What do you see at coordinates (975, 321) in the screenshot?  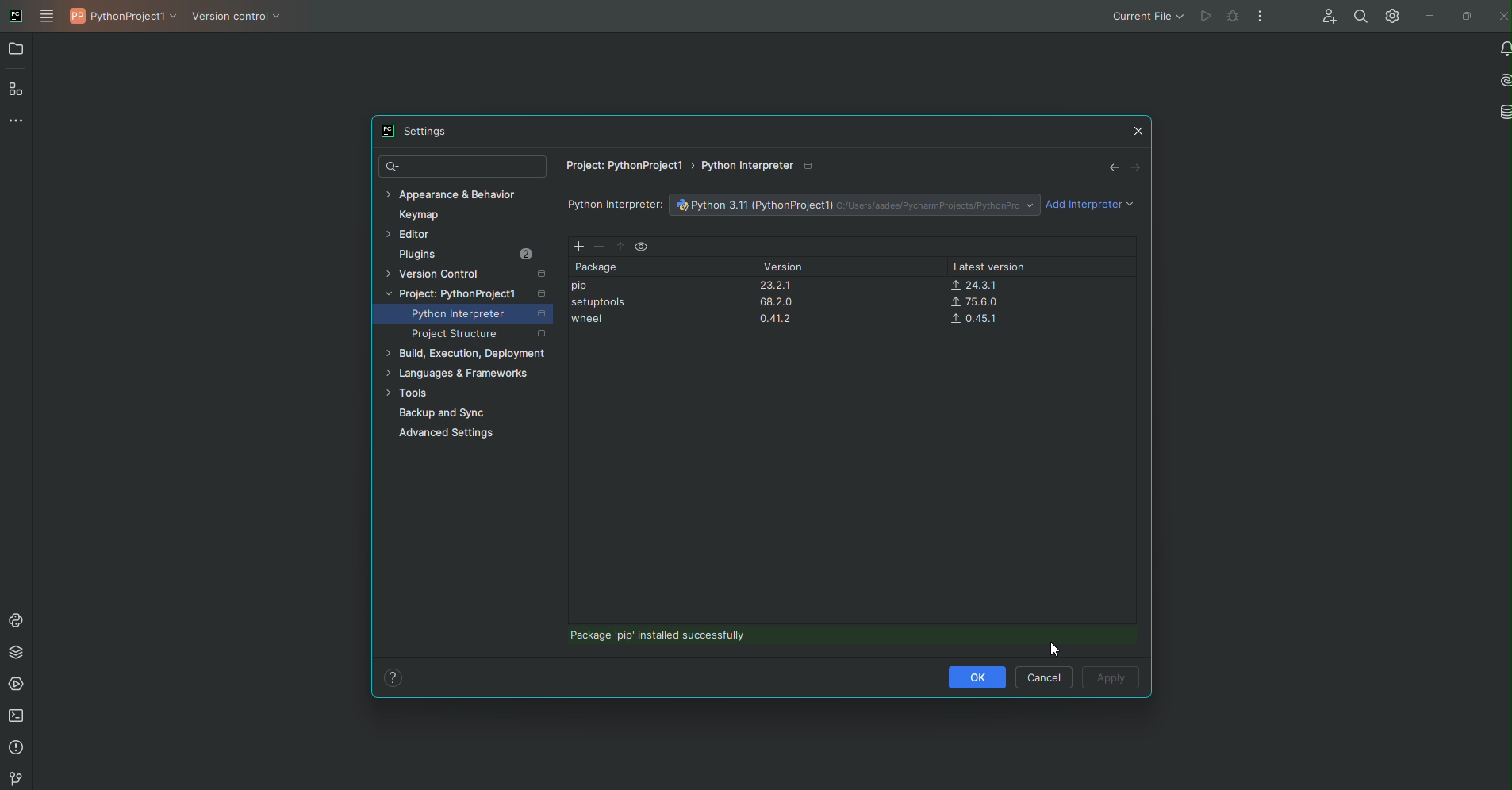 I see `0.45.1` at bounding box center [975, 321].